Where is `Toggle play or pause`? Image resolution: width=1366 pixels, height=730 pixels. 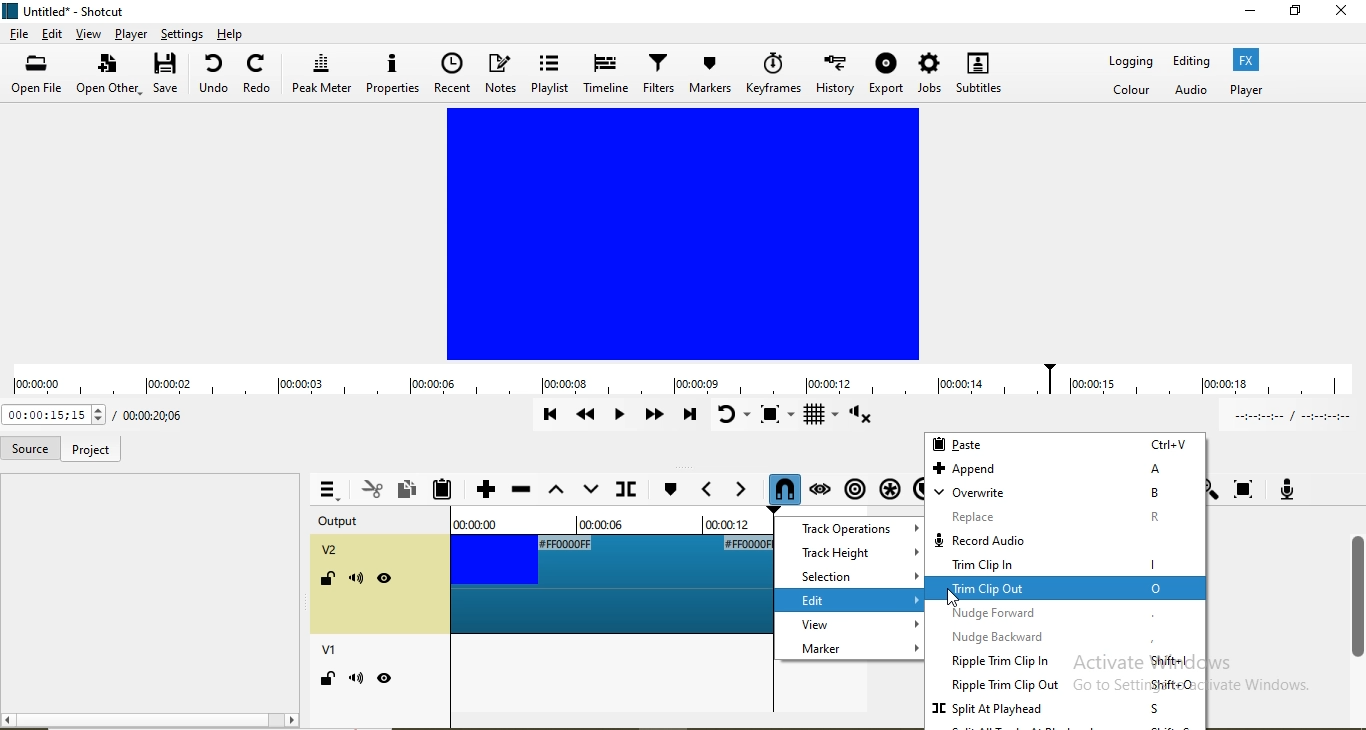
Toggle play or pause is located at coordinates (622, 419).